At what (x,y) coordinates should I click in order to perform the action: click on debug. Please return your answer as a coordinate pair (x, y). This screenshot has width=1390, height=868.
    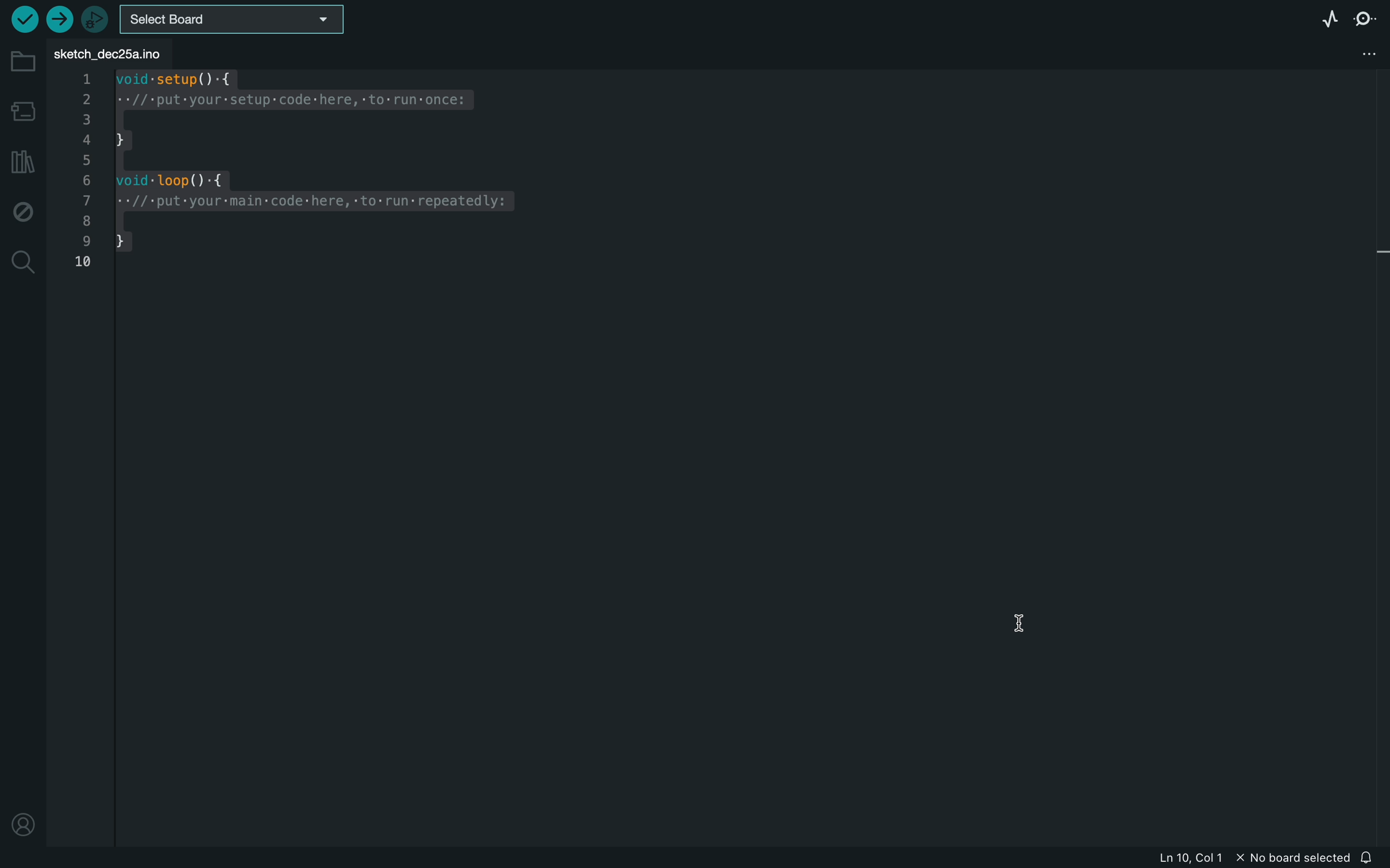
    Looking at the image, I should click on (22, 211).